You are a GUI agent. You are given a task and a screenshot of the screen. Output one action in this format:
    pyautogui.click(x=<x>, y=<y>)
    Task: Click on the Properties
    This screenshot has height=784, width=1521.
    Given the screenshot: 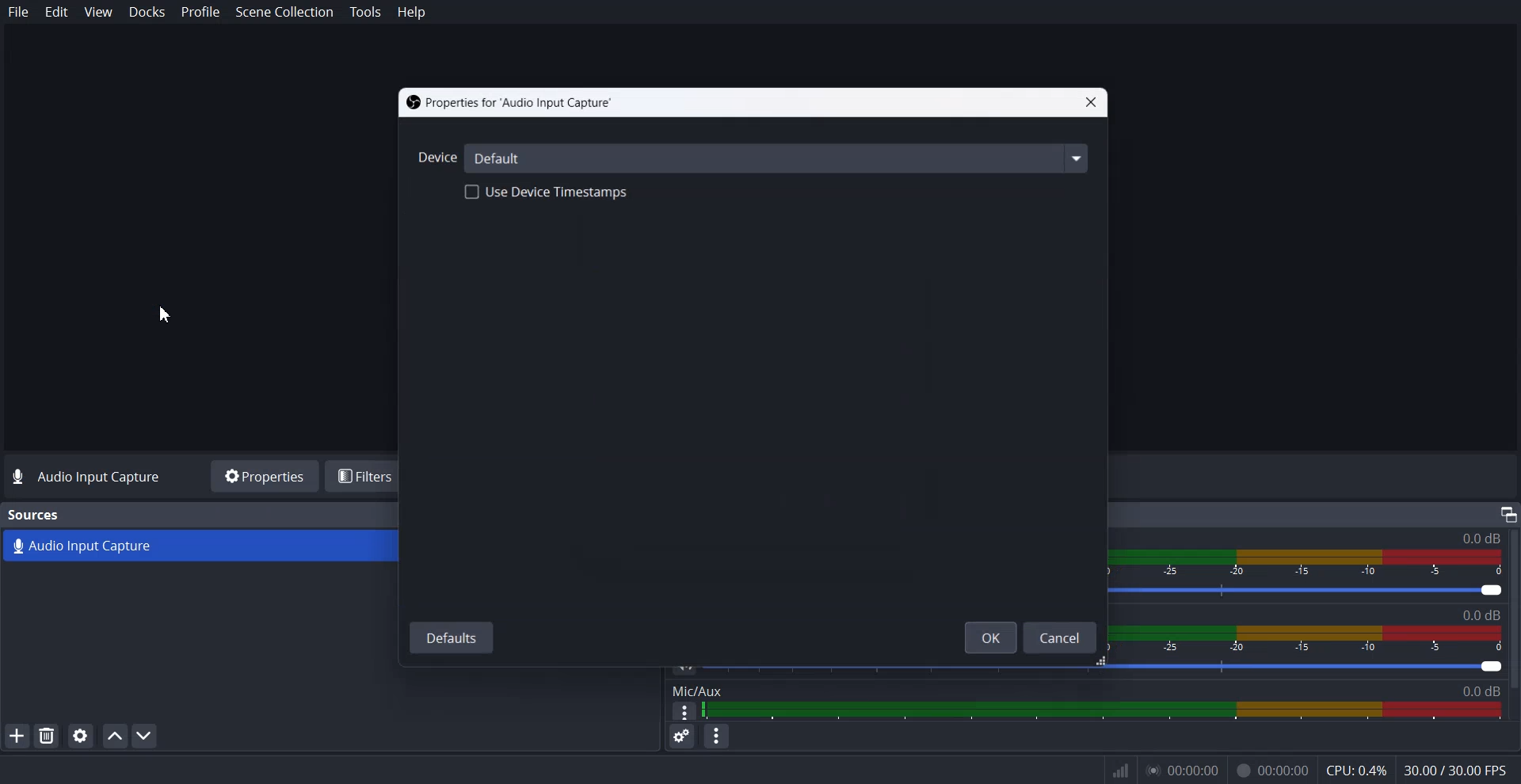 What is the action you would take?
    pyautogui.click(x=263, y=476)
    